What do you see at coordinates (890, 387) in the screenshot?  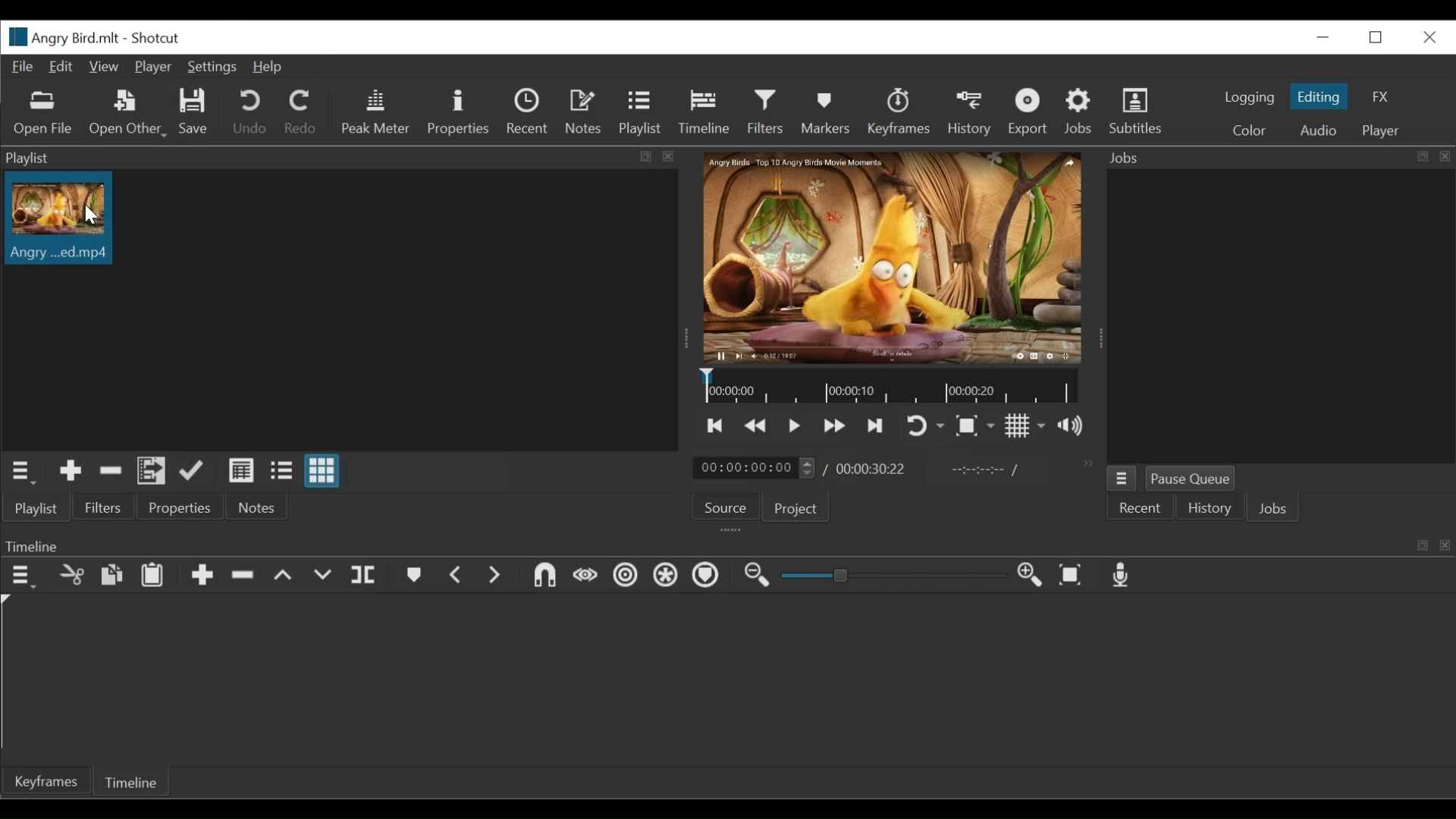 I see `Timeline` at bounding box center [890, 387].